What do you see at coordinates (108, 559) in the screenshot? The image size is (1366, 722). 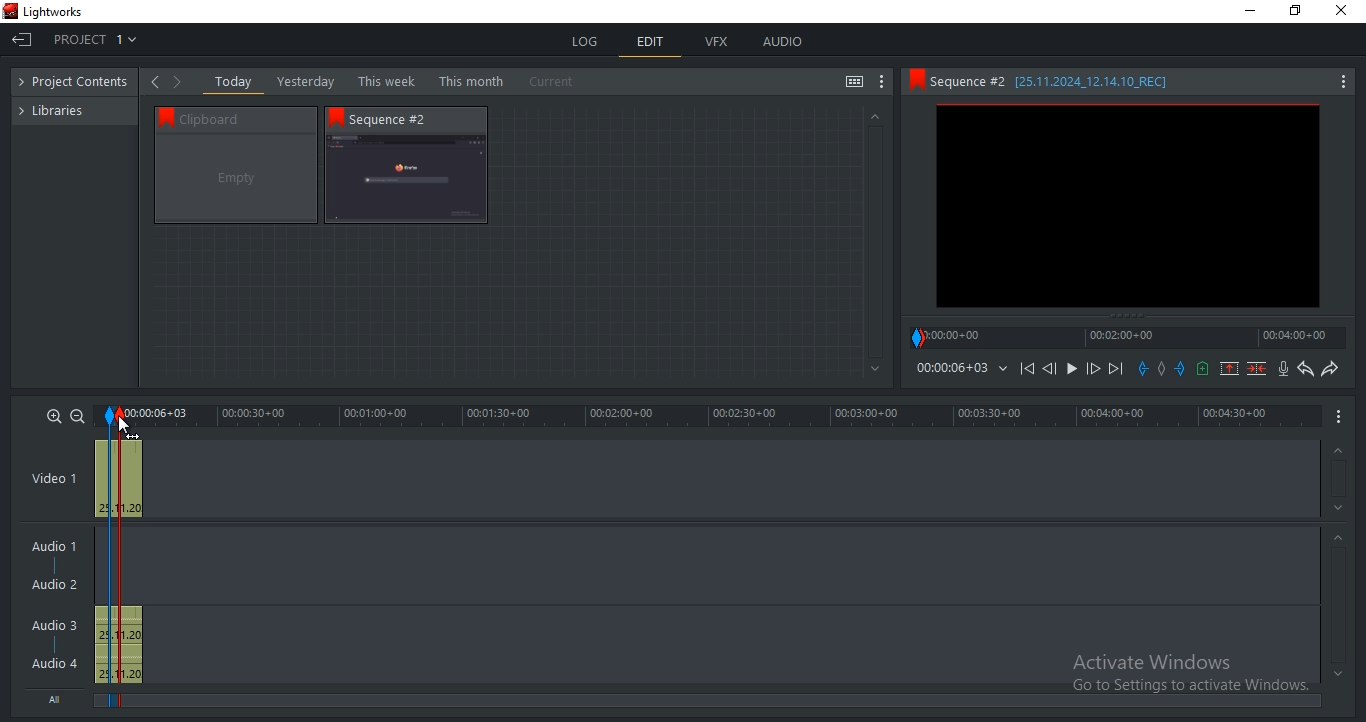 I see `Sequence Marker` at bounding box center [108, 559].